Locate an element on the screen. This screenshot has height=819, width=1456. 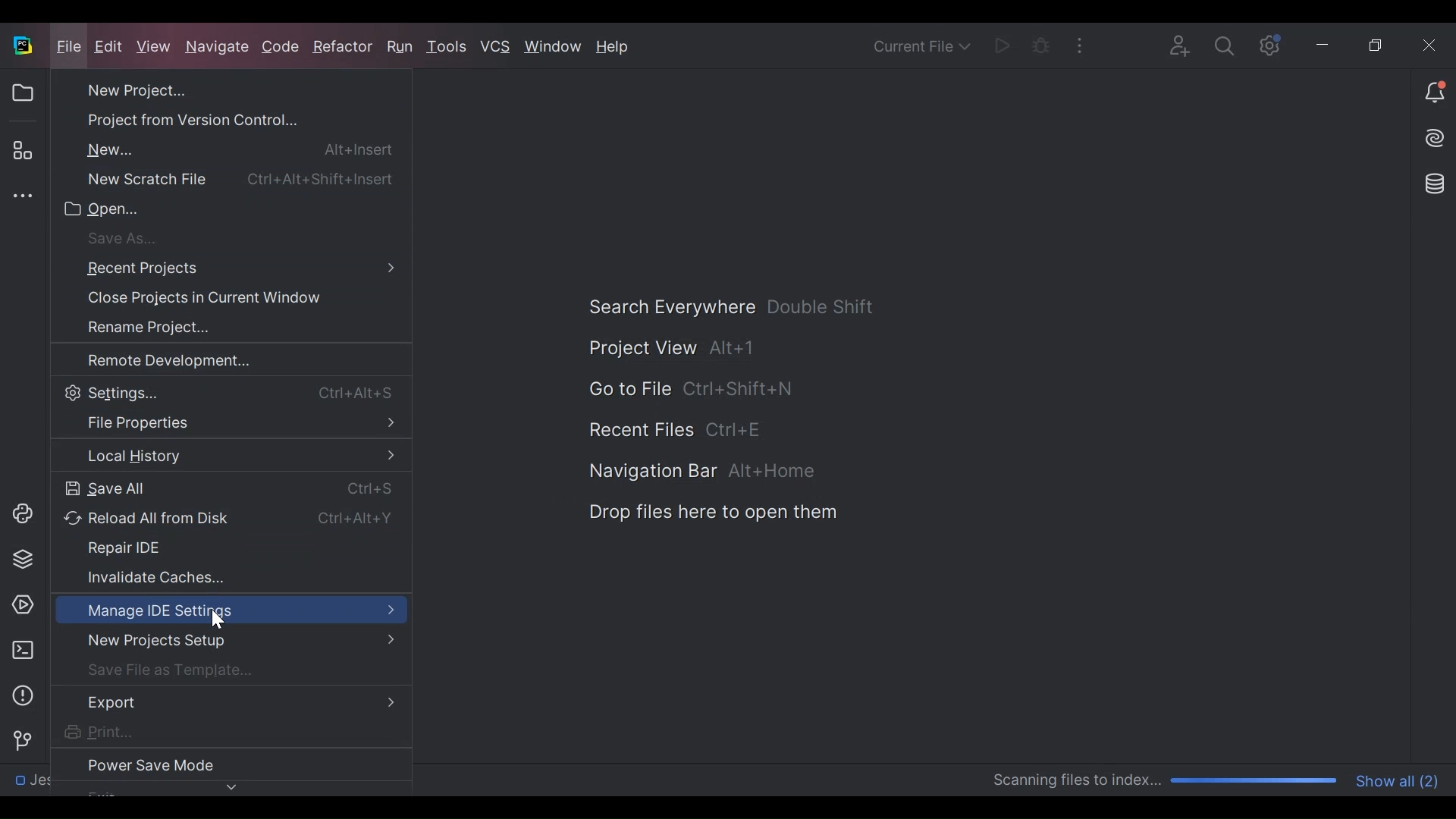
Bug is located at coordinates (1040, 44).